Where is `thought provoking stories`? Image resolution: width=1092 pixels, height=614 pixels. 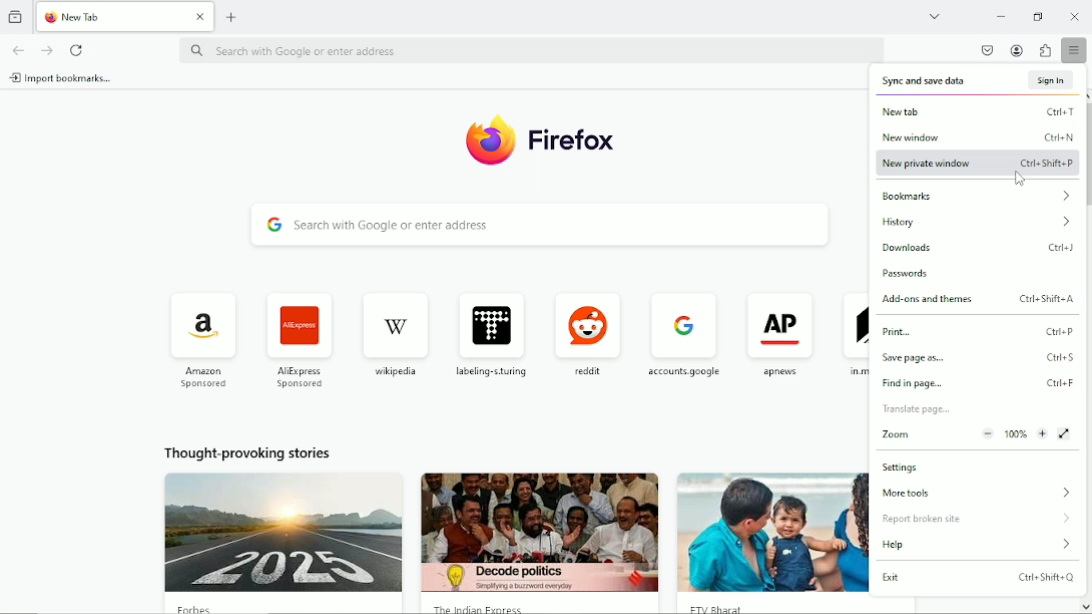
thought provoking stories is located at coordinates (247, 452).